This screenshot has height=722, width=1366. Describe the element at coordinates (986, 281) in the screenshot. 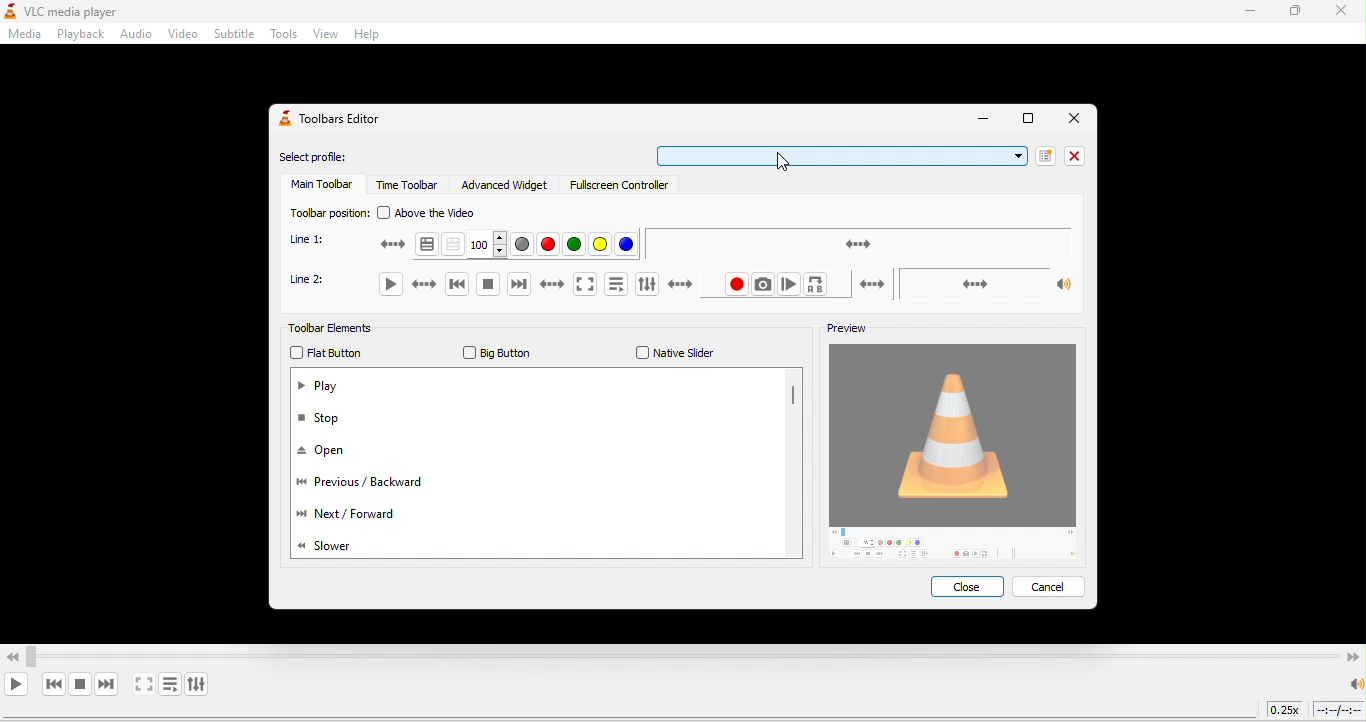

I see `volume` at that location.